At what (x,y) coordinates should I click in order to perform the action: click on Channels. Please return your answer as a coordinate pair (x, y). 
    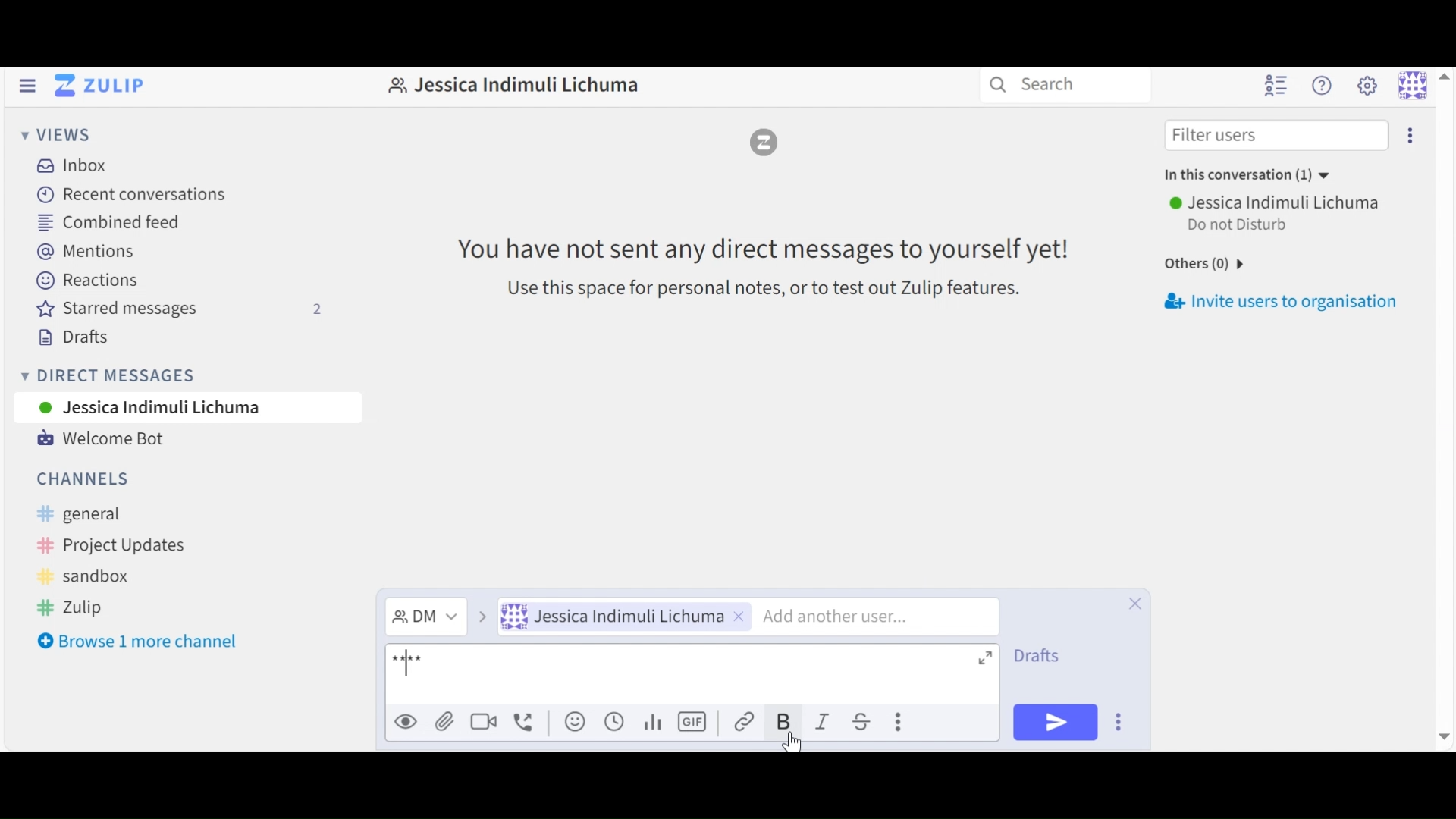
    Looking at the image, I should click on (86, 477).